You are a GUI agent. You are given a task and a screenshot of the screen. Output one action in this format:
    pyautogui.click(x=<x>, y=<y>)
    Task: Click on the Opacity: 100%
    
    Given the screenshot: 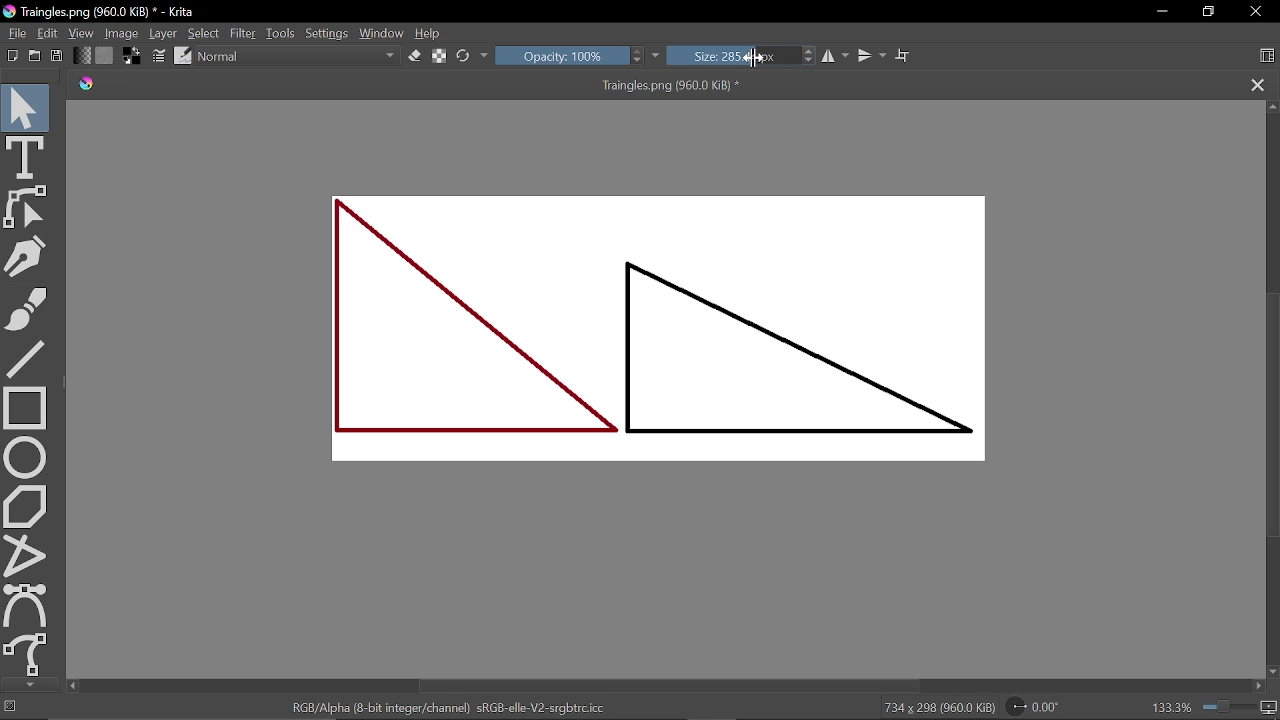 What is the action you would take?
    pyautogui.click(x=570, y=56)
    